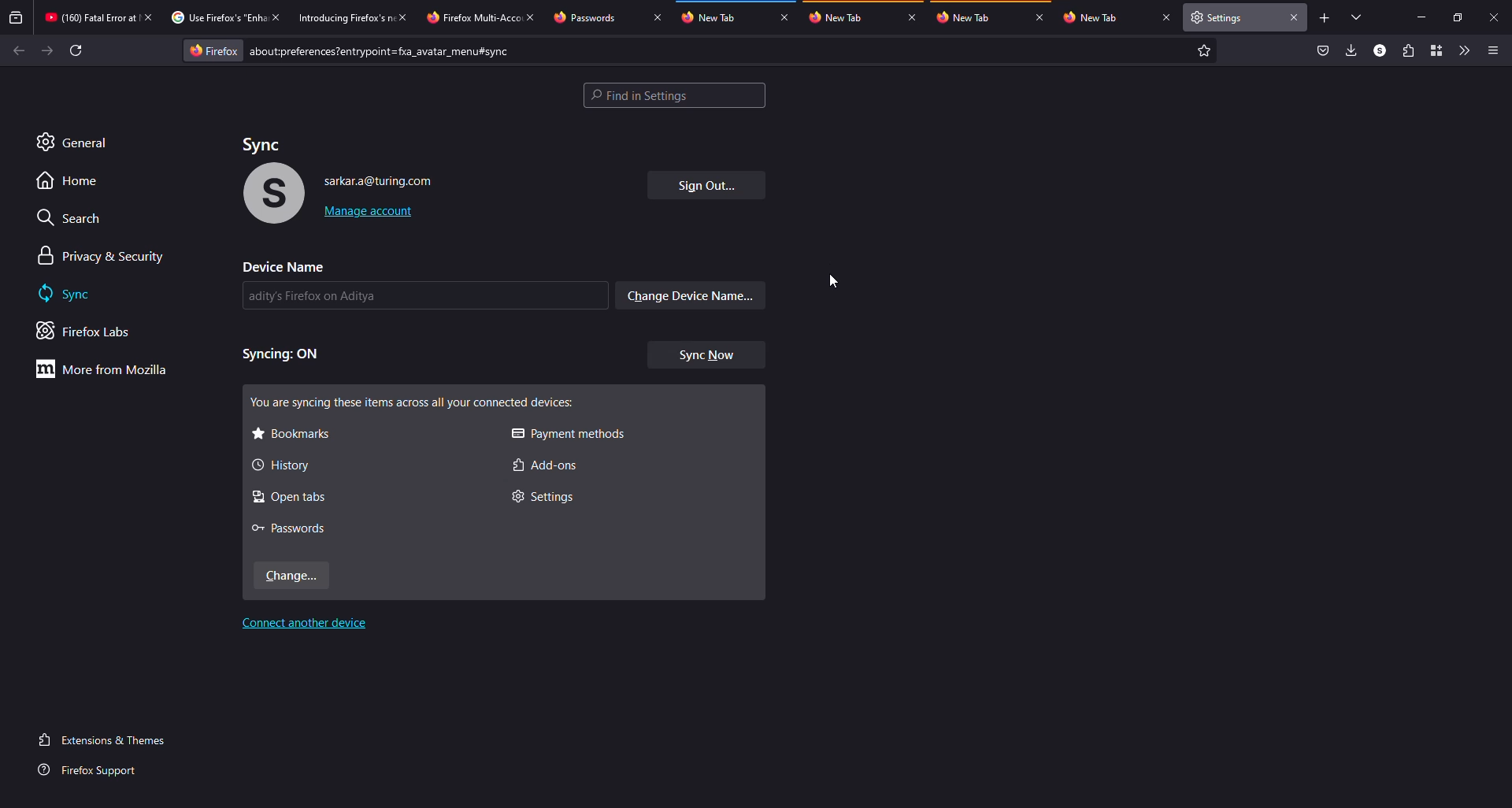  Describe the element at coordinates (291, 528) in the screenshot. I see `passwords` at that location.